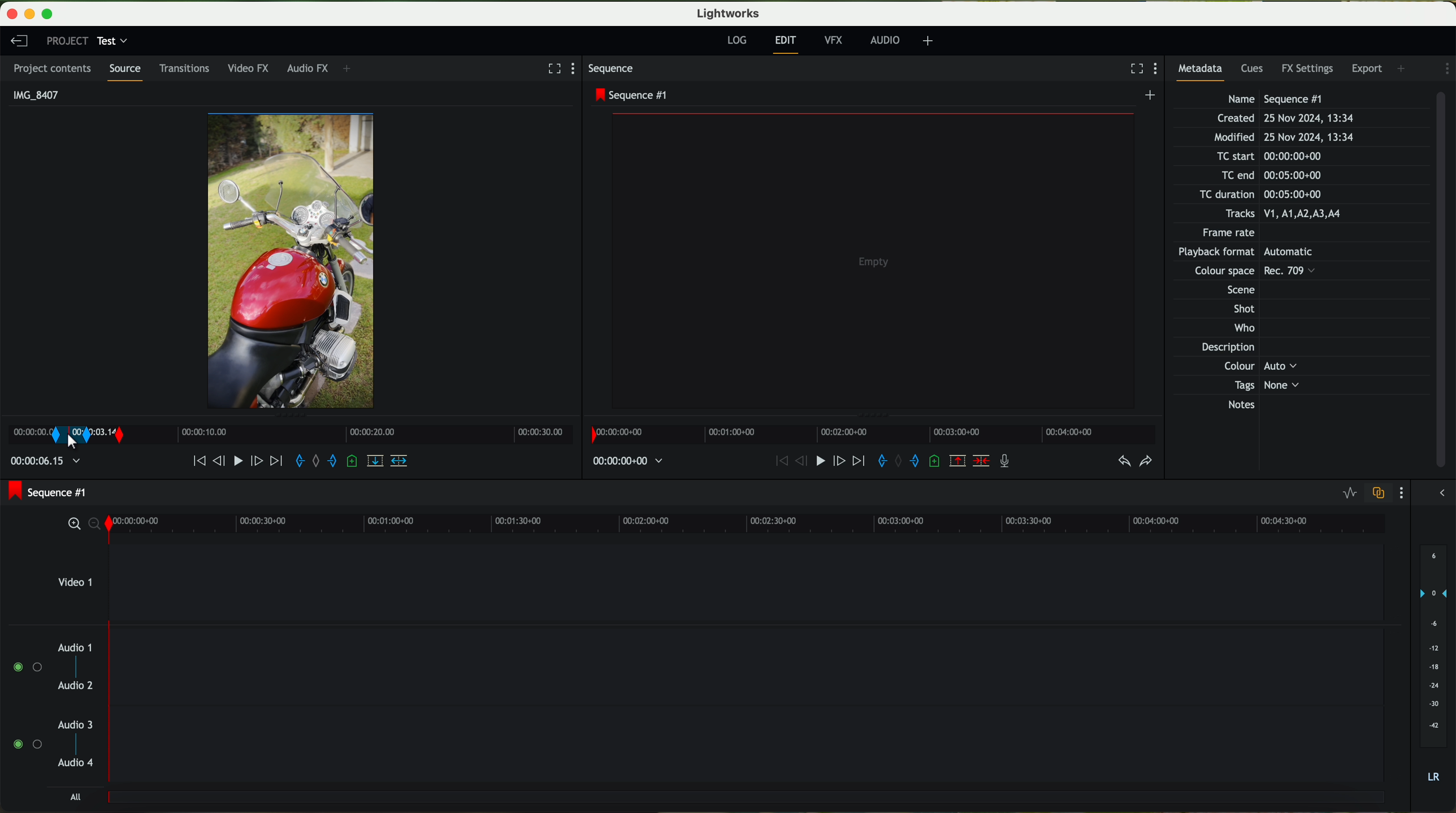 The image size is (1456, 813). Describe the element at coordinates (18, 40) in the screenshot. I see `leave` at that location.